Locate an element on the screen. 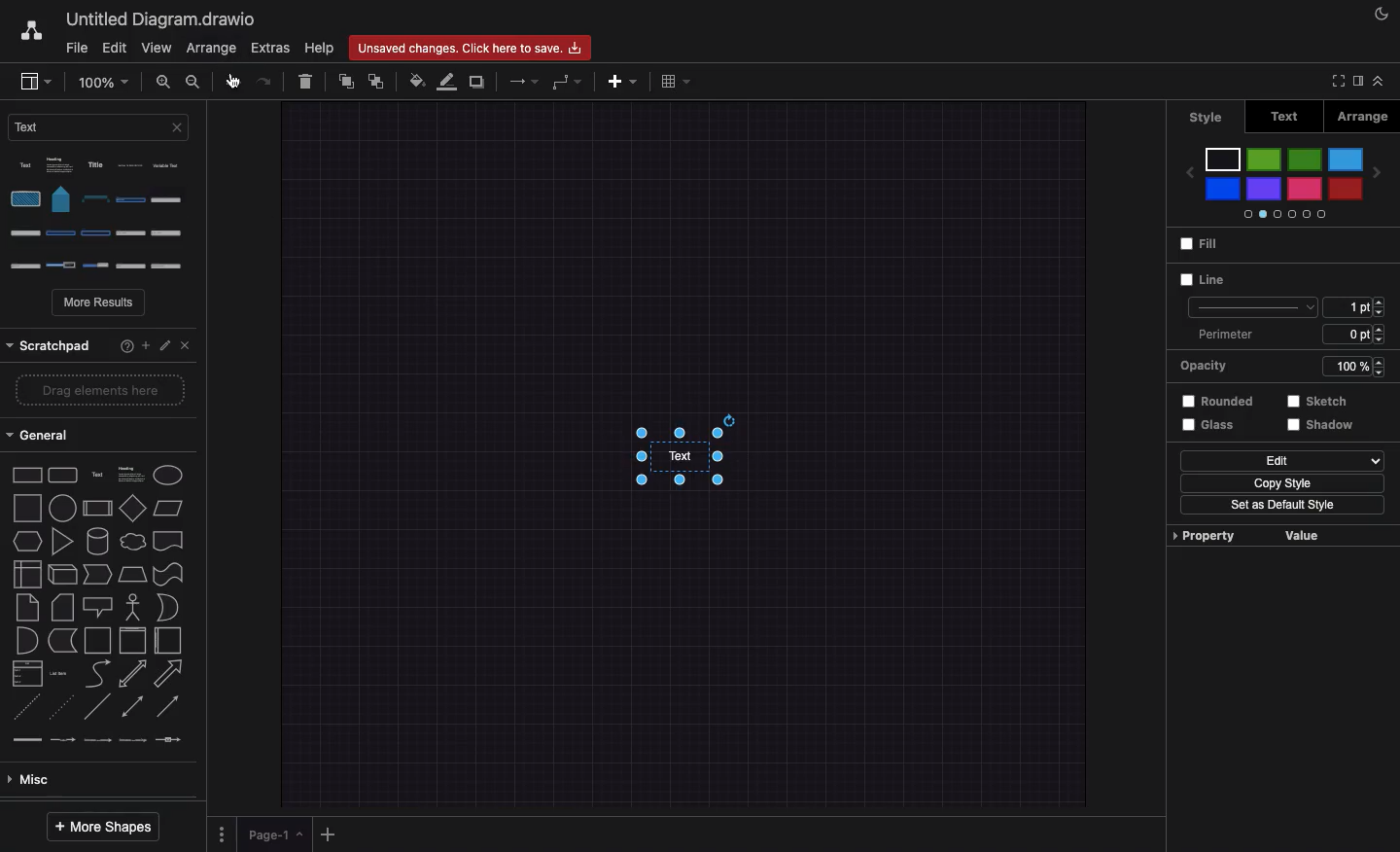  Arrange is located at coordinates (211, 49).